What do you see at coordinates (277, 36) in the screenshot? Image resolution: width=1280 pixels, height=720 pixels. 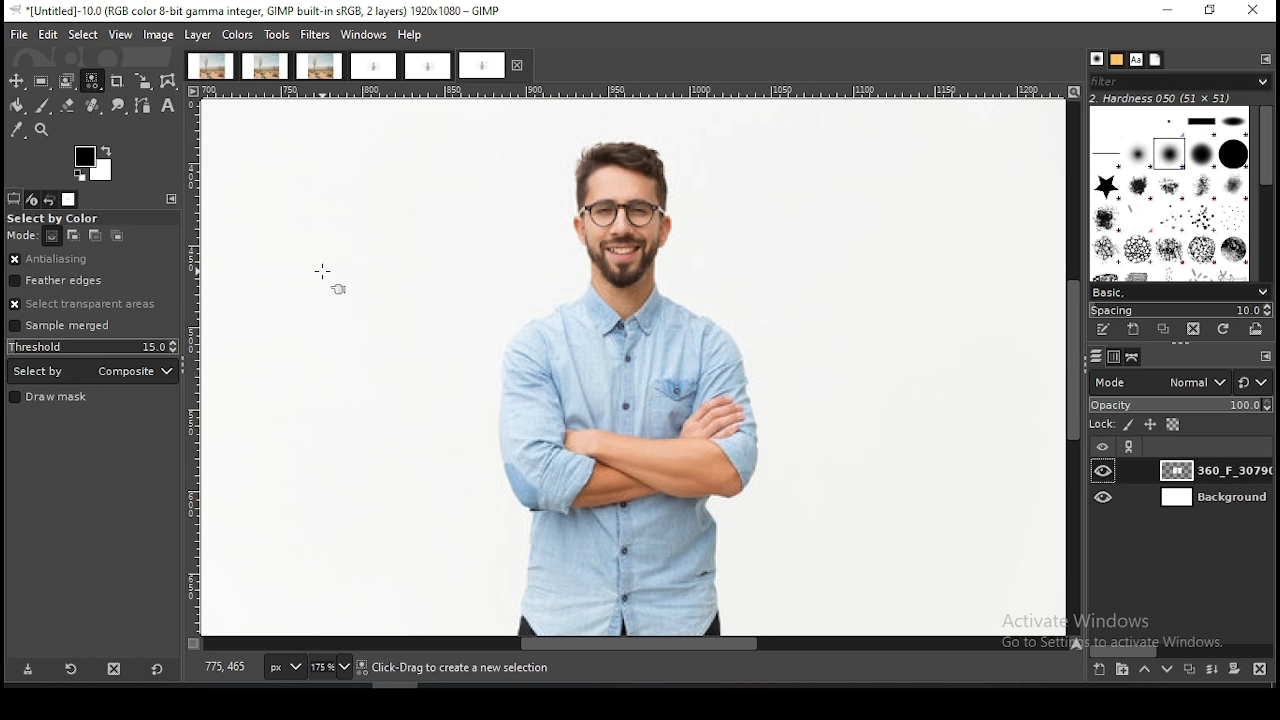 I see `tools` at bounding box center [277, 36].